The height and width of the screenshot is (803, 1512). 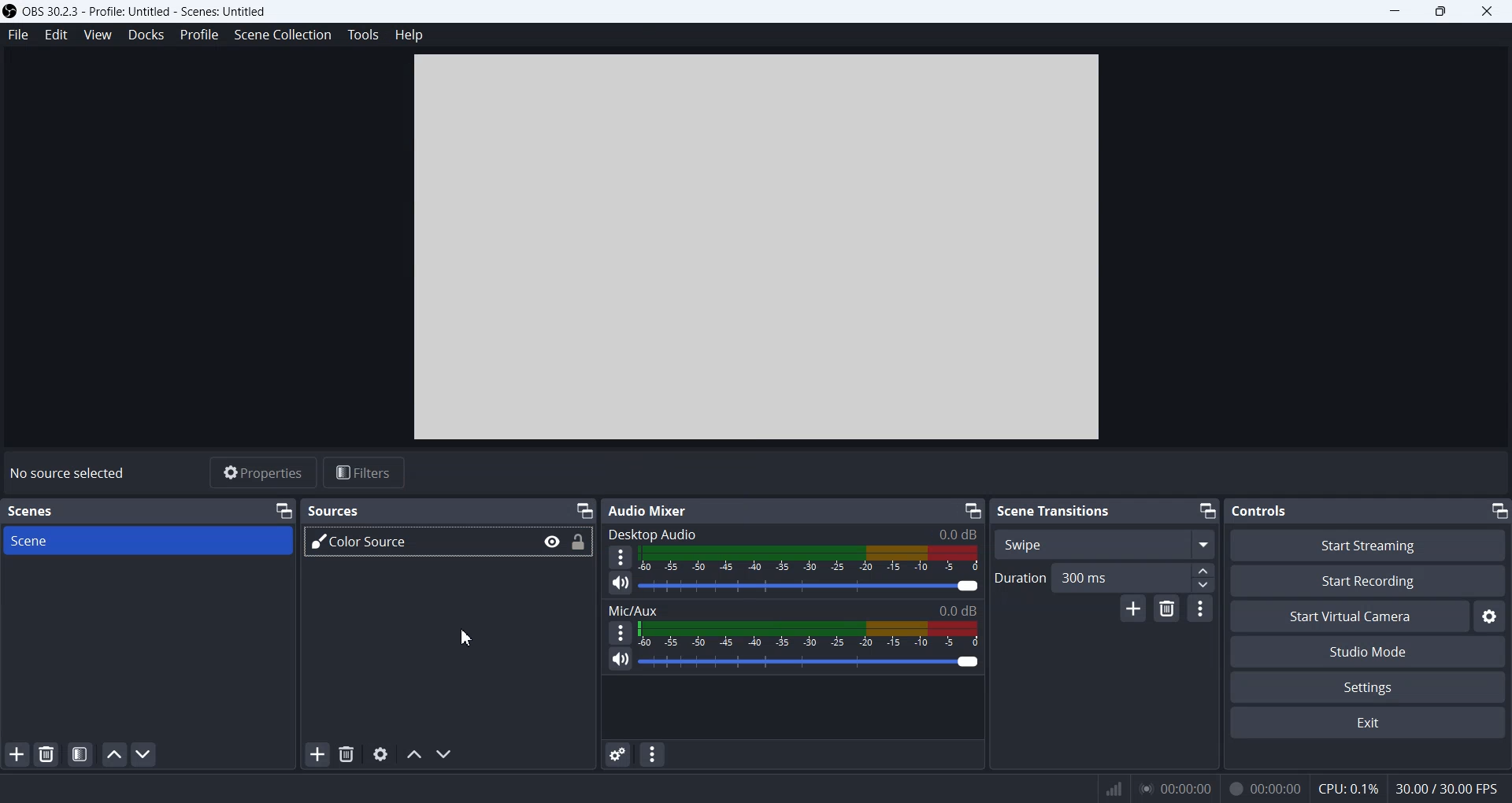 I want to click on No source selected, so click(x=67, y=472).